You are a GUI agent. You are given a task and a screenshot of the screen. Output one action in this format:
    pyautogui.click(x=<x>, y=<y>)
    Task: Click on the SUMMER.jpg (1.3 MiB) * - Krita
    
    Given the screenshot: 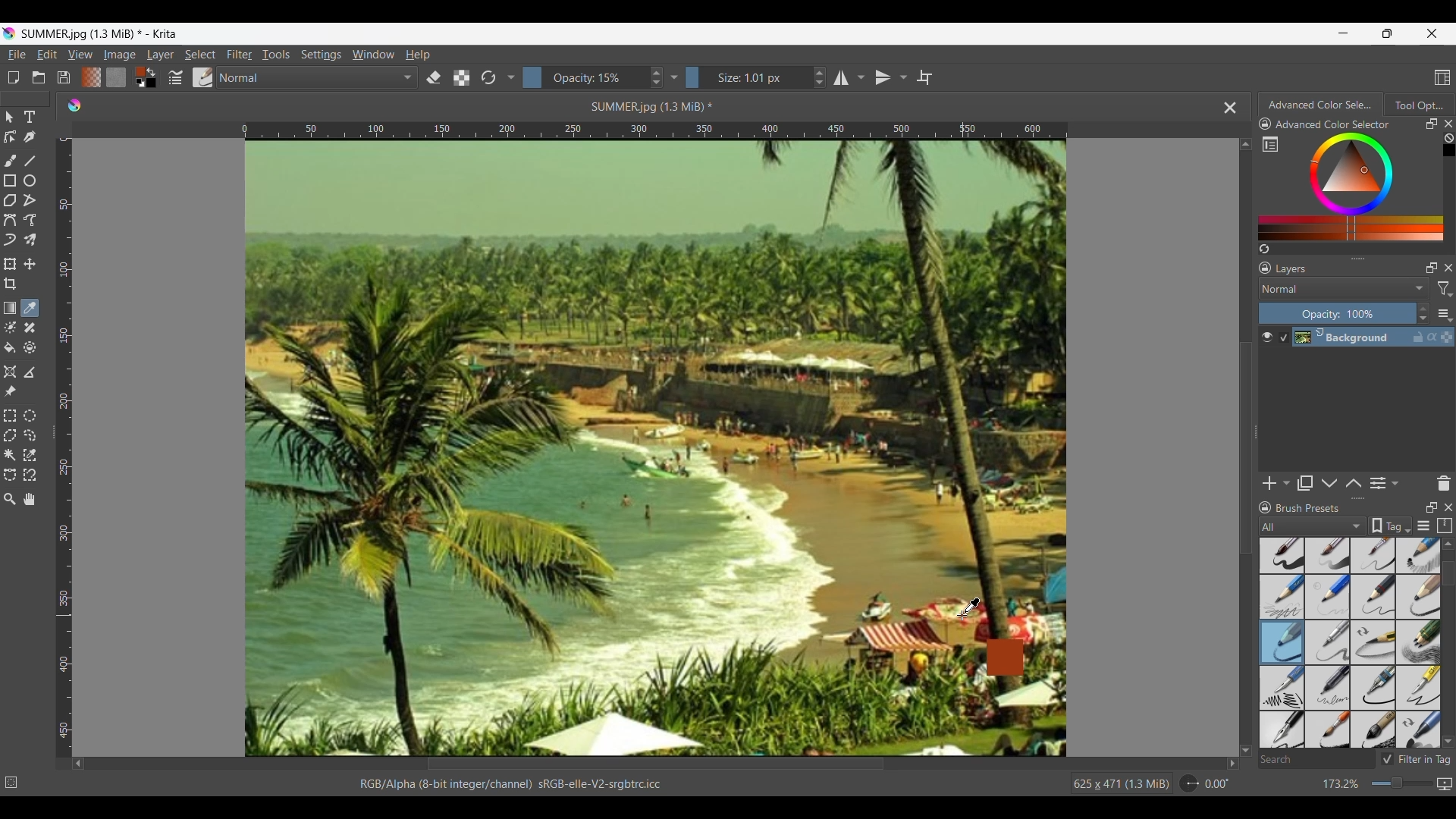 What is the action you would take?
    pyautogui.click(x=100, y=33)
    